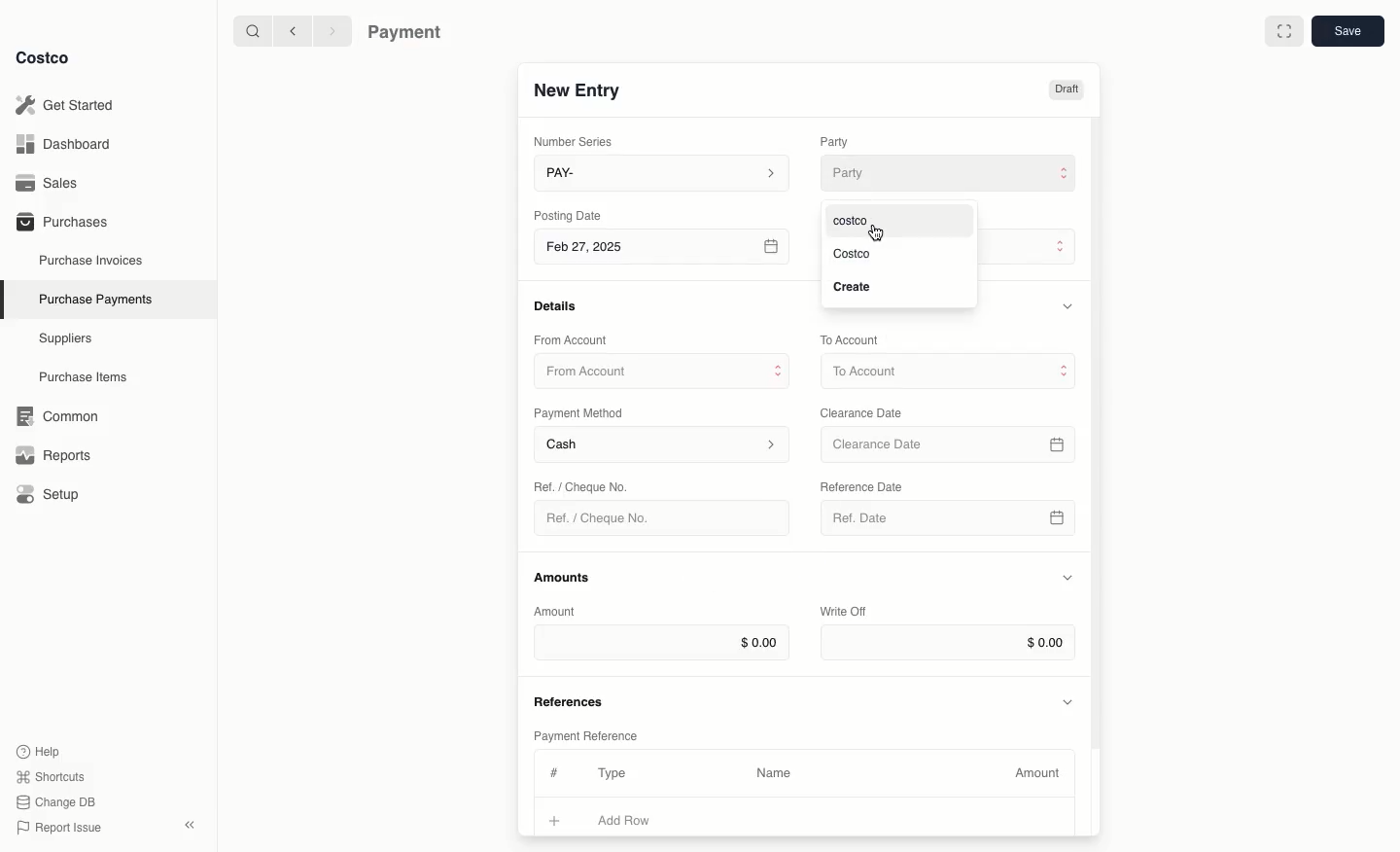 Image resolution: width=1400 pixels, height=852 pixels. I want to click on cursor, so click(876, 231).